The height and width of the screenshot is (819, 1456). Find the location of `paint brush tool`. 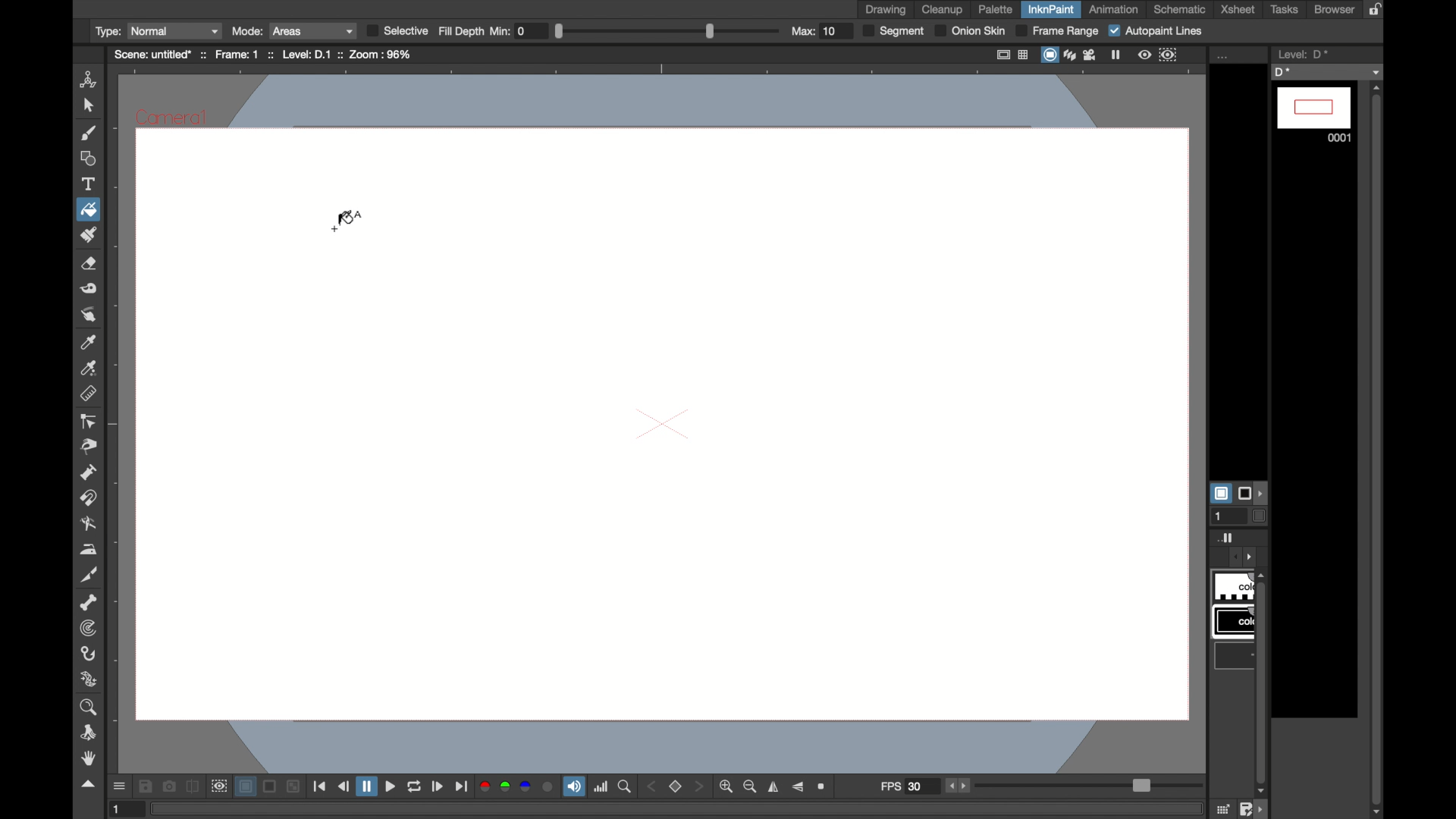

paint brush tool is located at coordinates (88, 235).